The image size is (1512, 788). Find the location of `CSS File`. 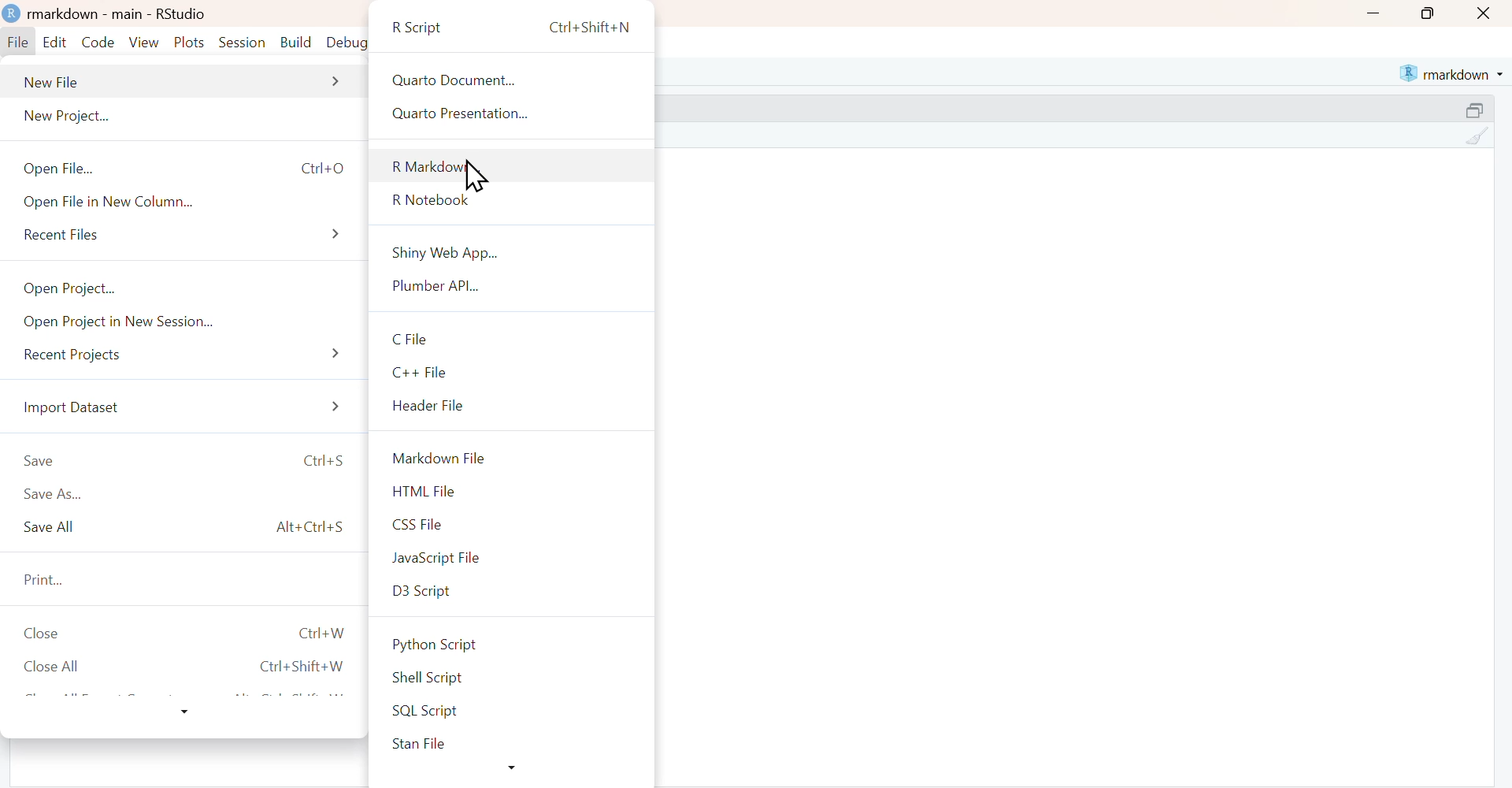

CSS File is located at coordinates (513, 522).